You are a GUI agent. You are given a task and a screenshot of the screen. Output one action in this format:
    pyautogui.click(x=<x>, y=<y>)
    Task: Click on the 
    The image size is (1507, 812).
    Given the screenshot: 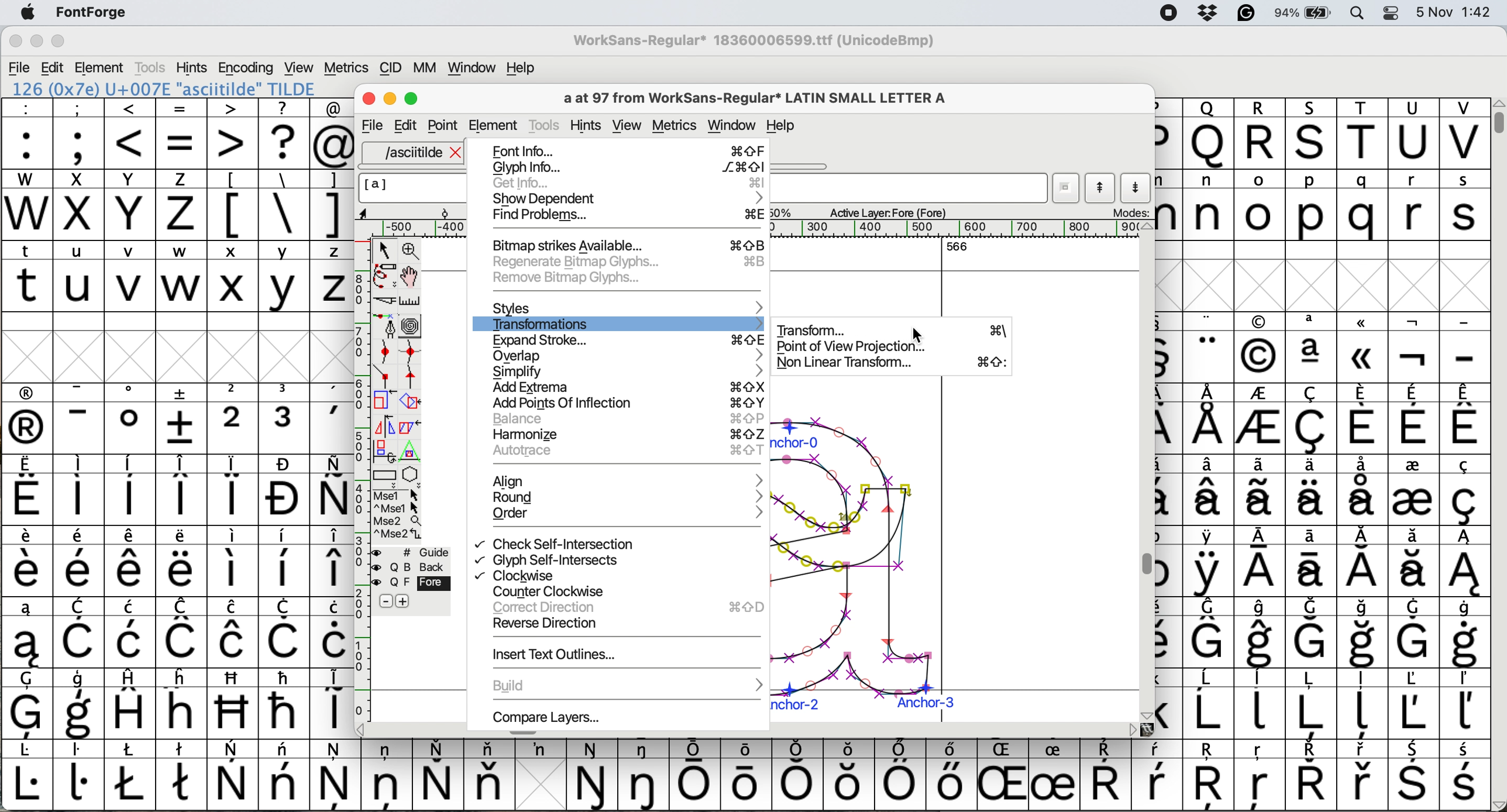 What is the action you would take?
    pyautogui.click(x=183, y=703)
    